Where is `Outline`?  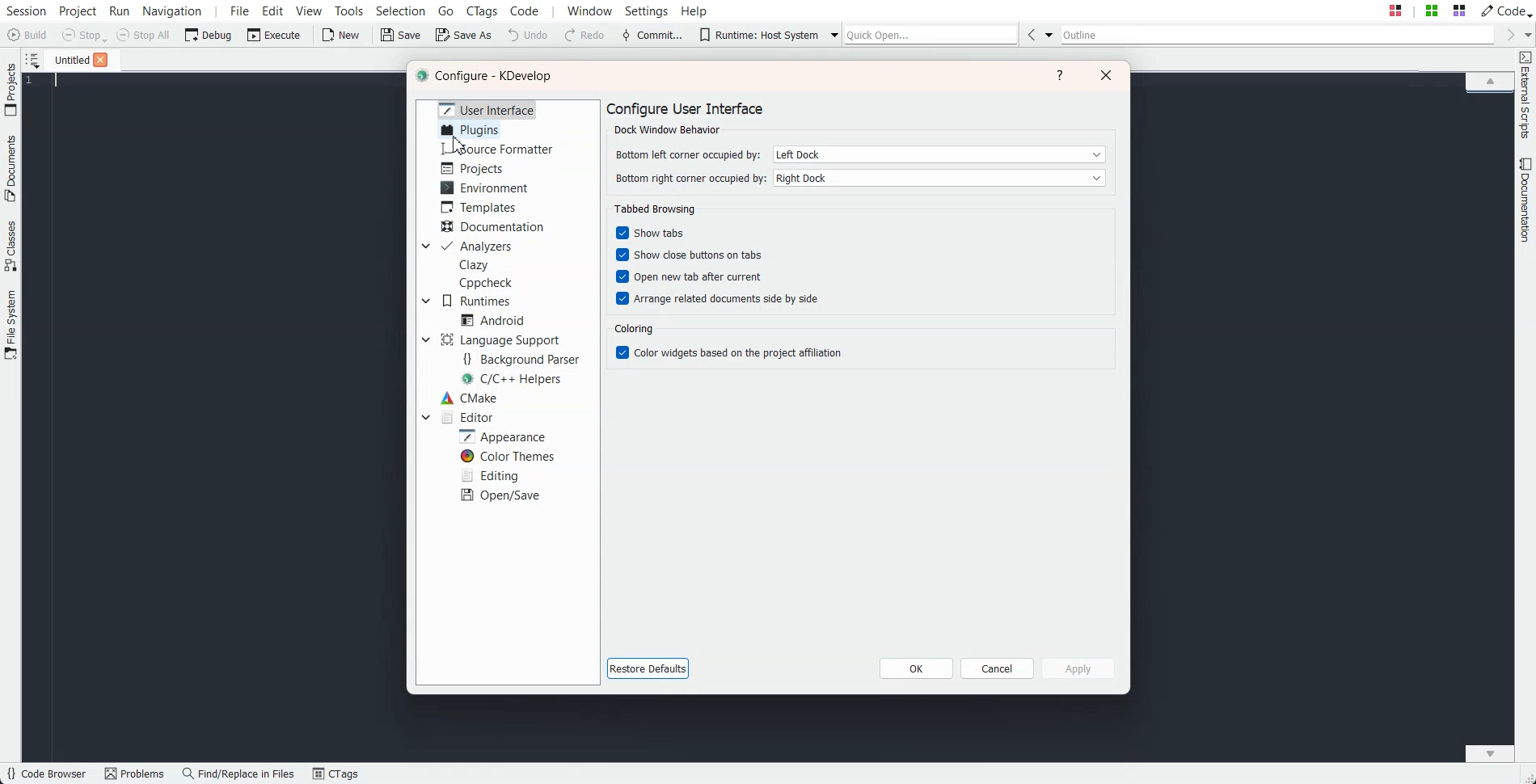 Outline is located at coordinates (1278, 35).